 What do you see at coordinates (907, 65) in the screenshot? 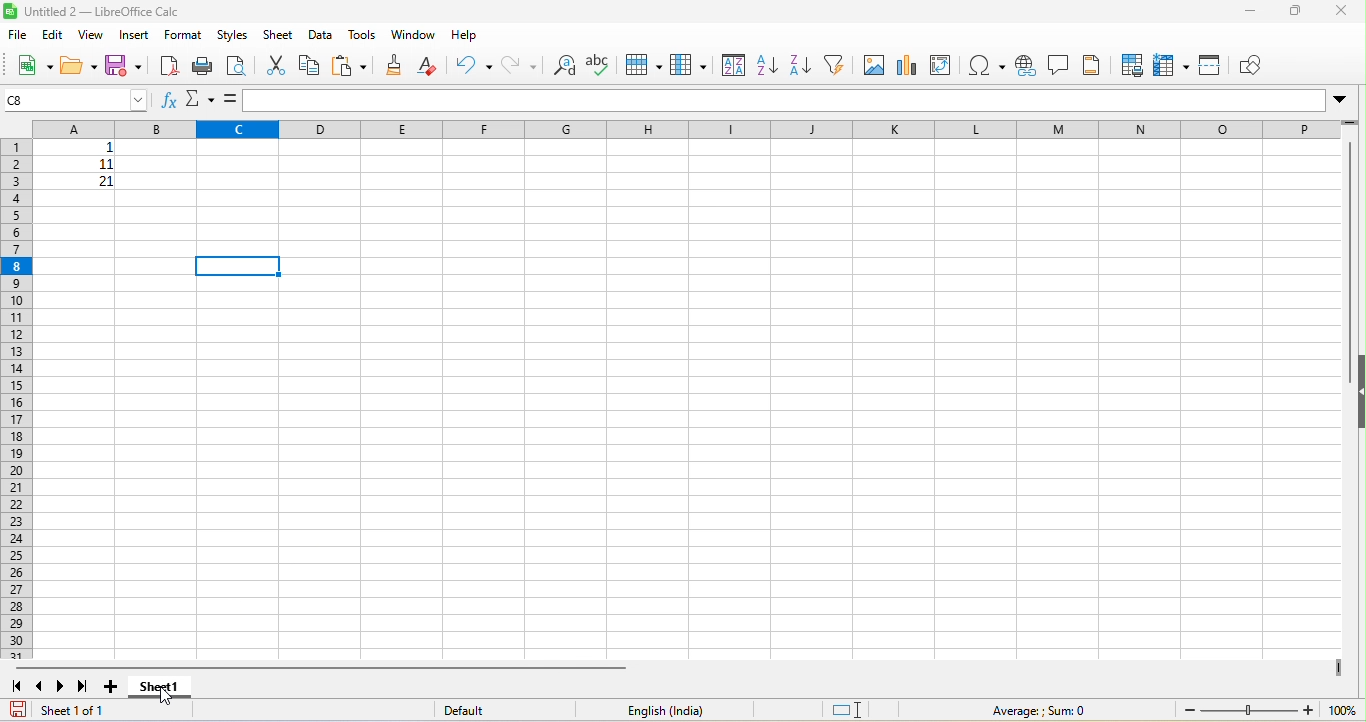
I see `chart` at bounding box center [907, 65].